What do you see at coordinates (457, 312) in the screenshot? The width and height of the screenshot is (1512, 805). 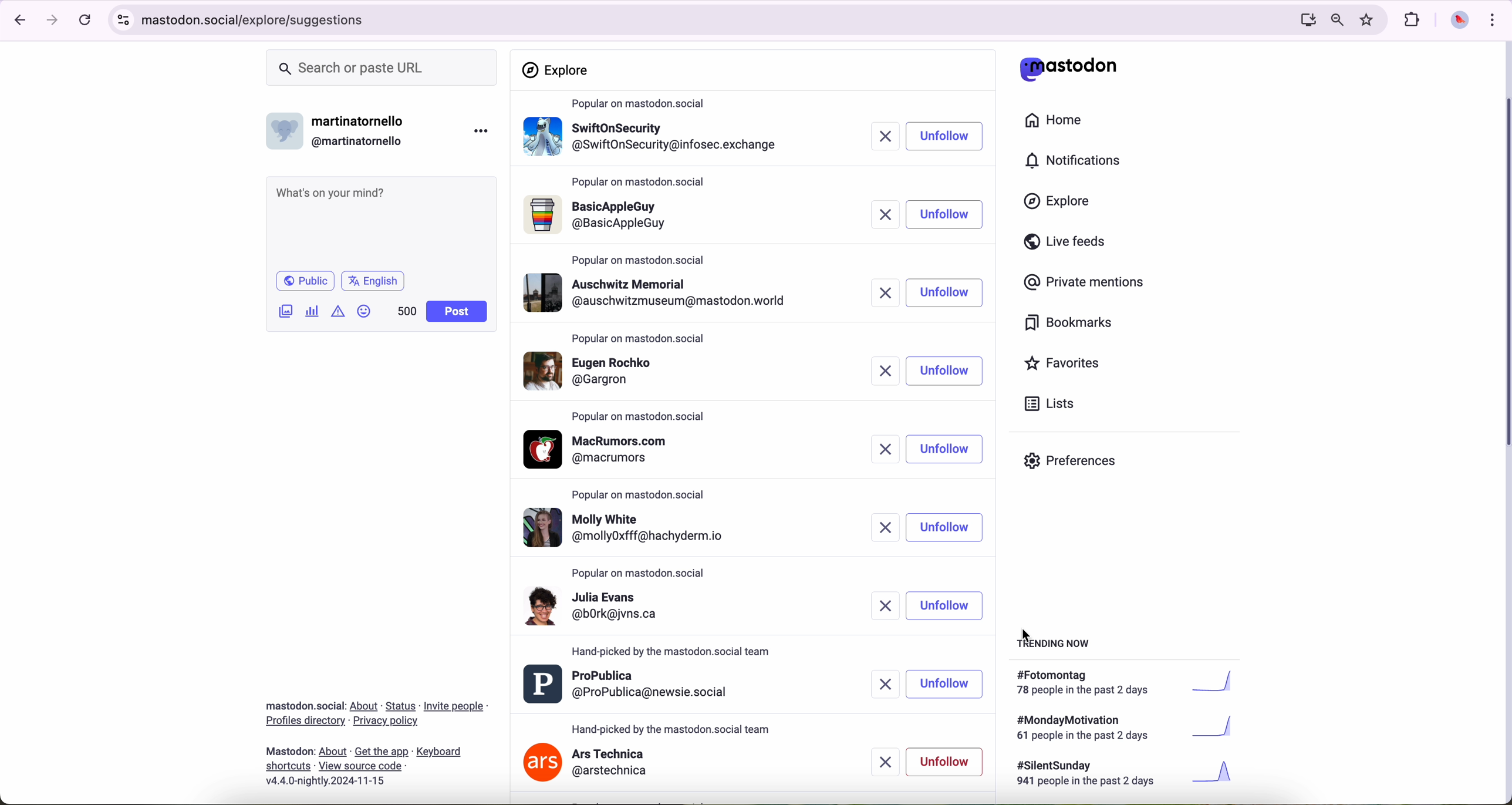 I see `post button` at bounding box center [457, 312].